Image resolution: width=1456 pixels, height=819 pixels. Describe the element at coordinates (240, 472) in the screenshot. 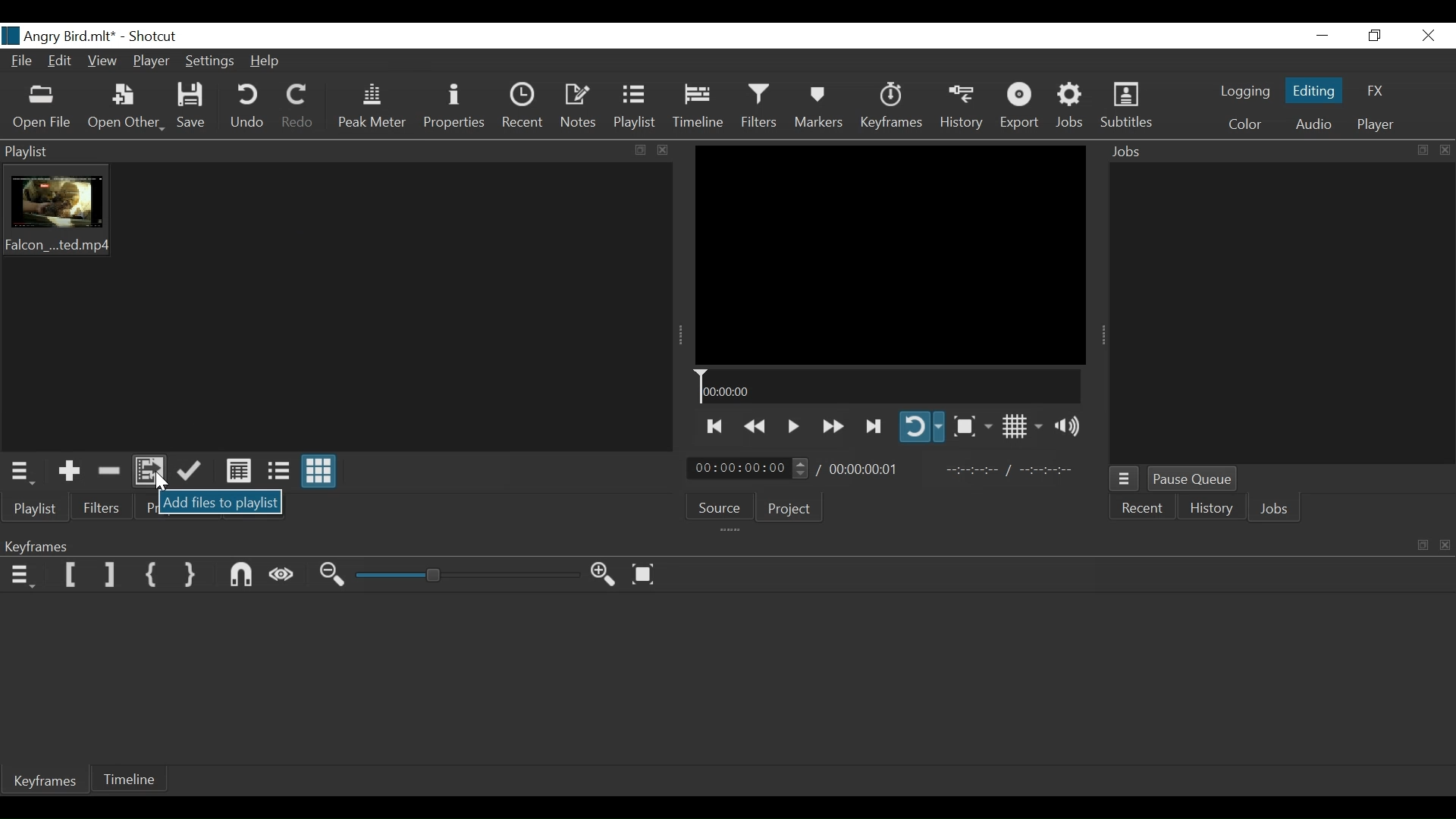

I see `View as detail` at that location.